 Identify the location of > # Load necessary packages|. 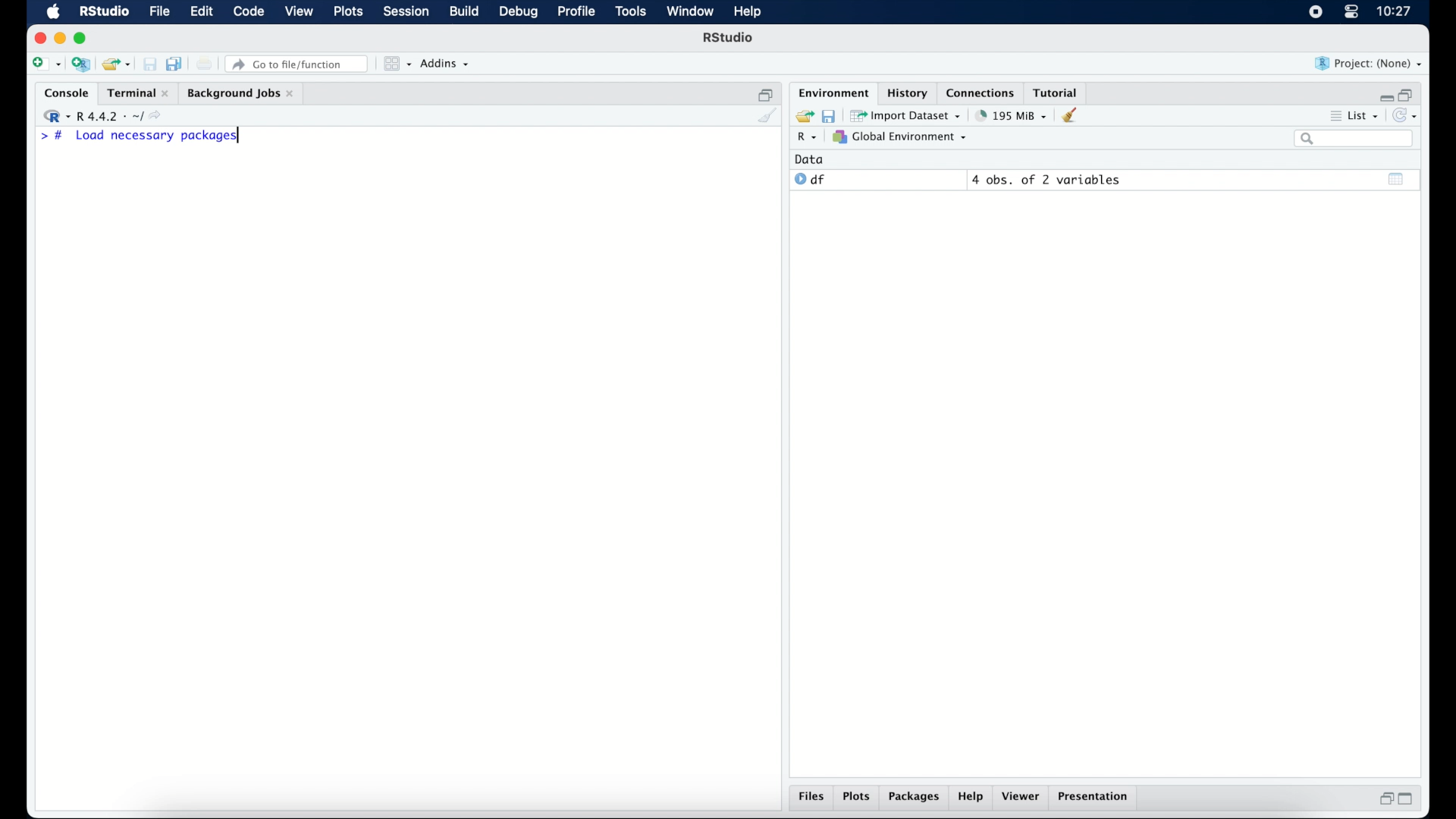
(140, 136).